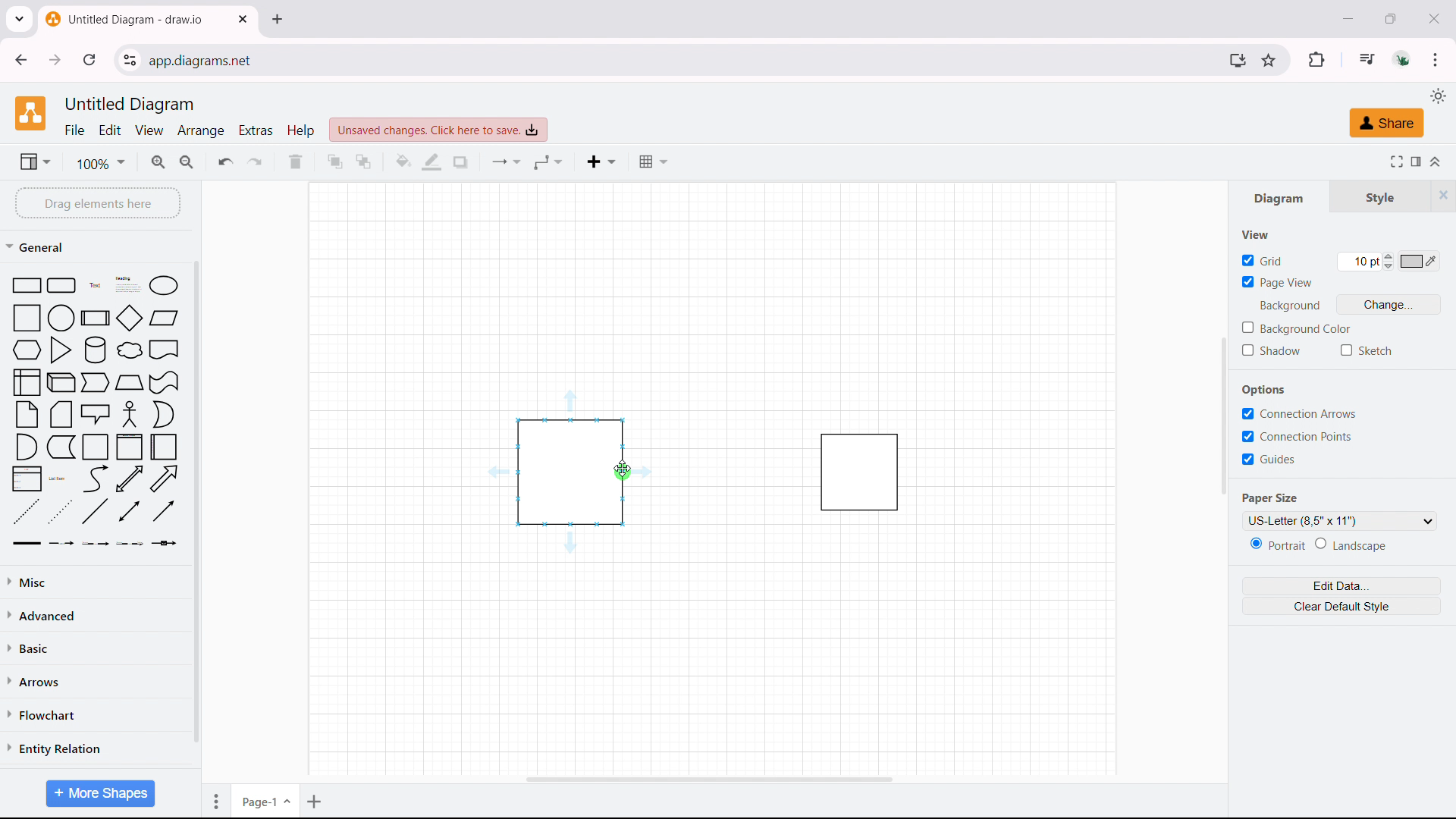 Image resolution: width=1456 pixels, height=819 pixels. Describe the element at coordinates (438, 130) in the screenshot. I see `click to save` at that location.